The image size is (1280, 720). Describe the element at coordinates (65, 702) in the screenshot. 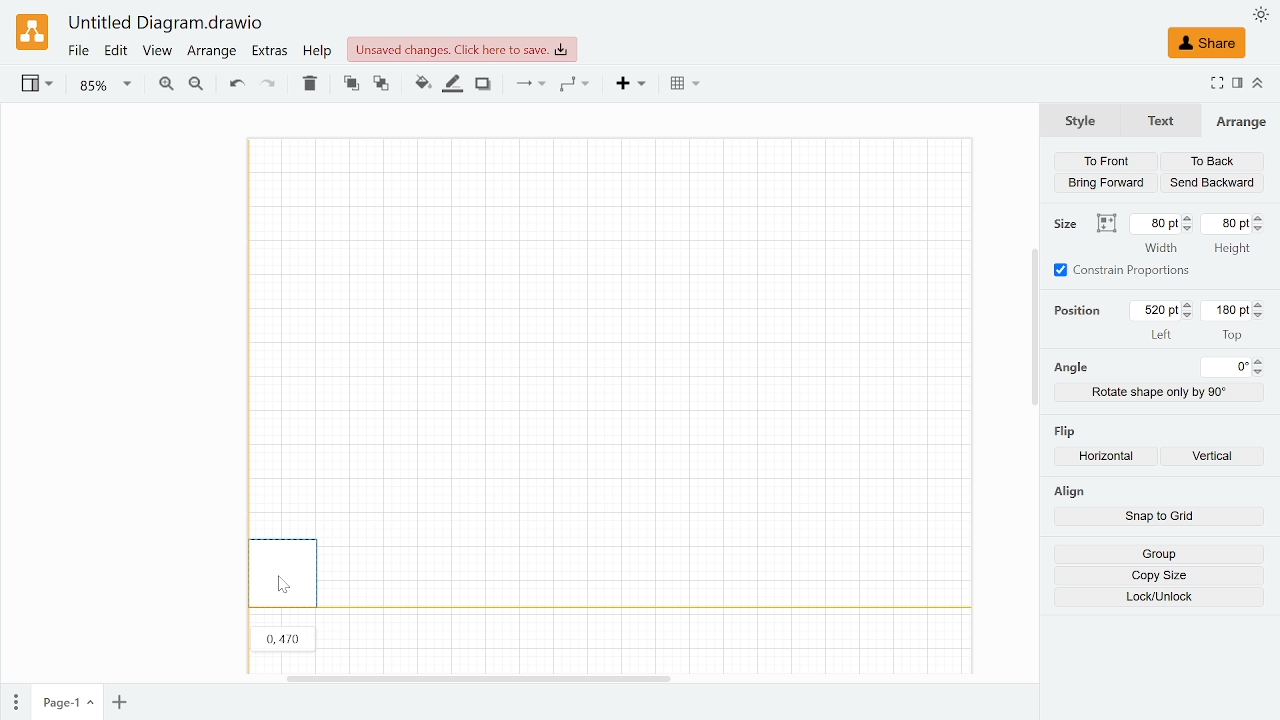

I see `Current page(Page 1)` at that location.